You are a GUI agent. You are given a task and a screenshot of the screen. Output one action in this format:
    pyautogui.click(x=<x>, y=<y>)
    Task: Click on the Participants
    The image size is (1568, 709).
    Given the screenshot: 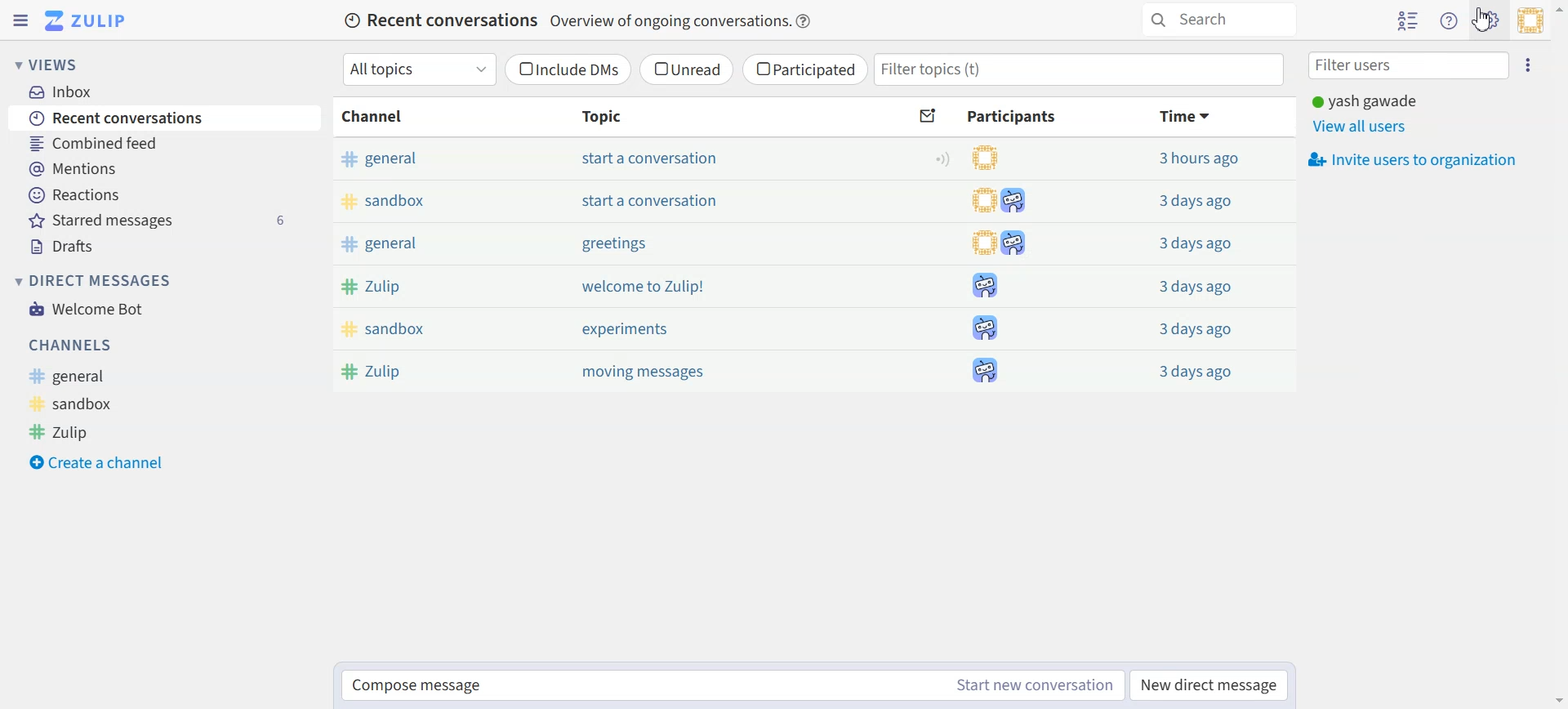 What is the action you would take?
    pyautogui.click(x=1012, y=116)
    